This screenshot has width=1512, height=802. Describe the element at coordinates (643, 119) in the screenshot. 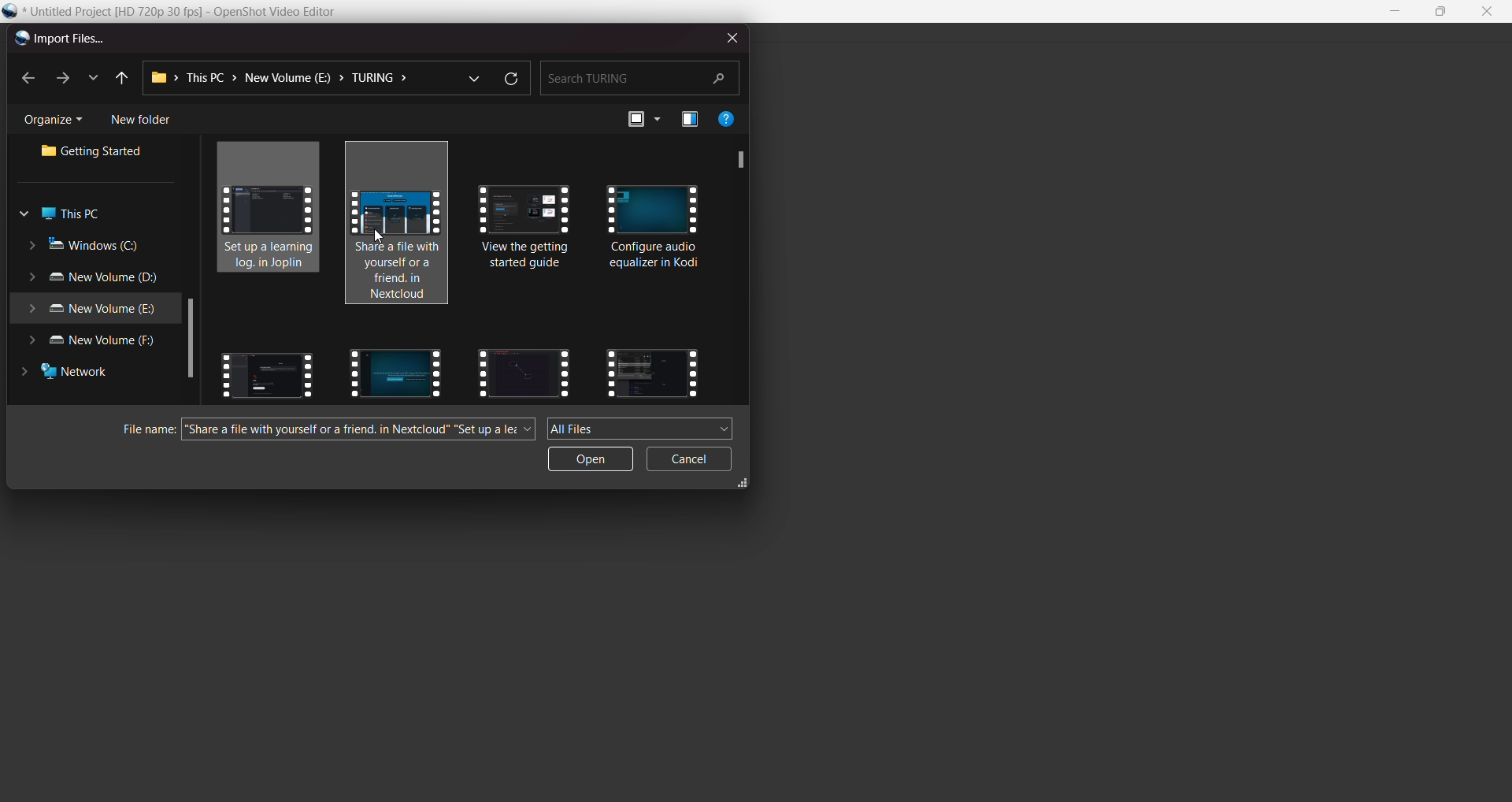

I see `view` at that location.